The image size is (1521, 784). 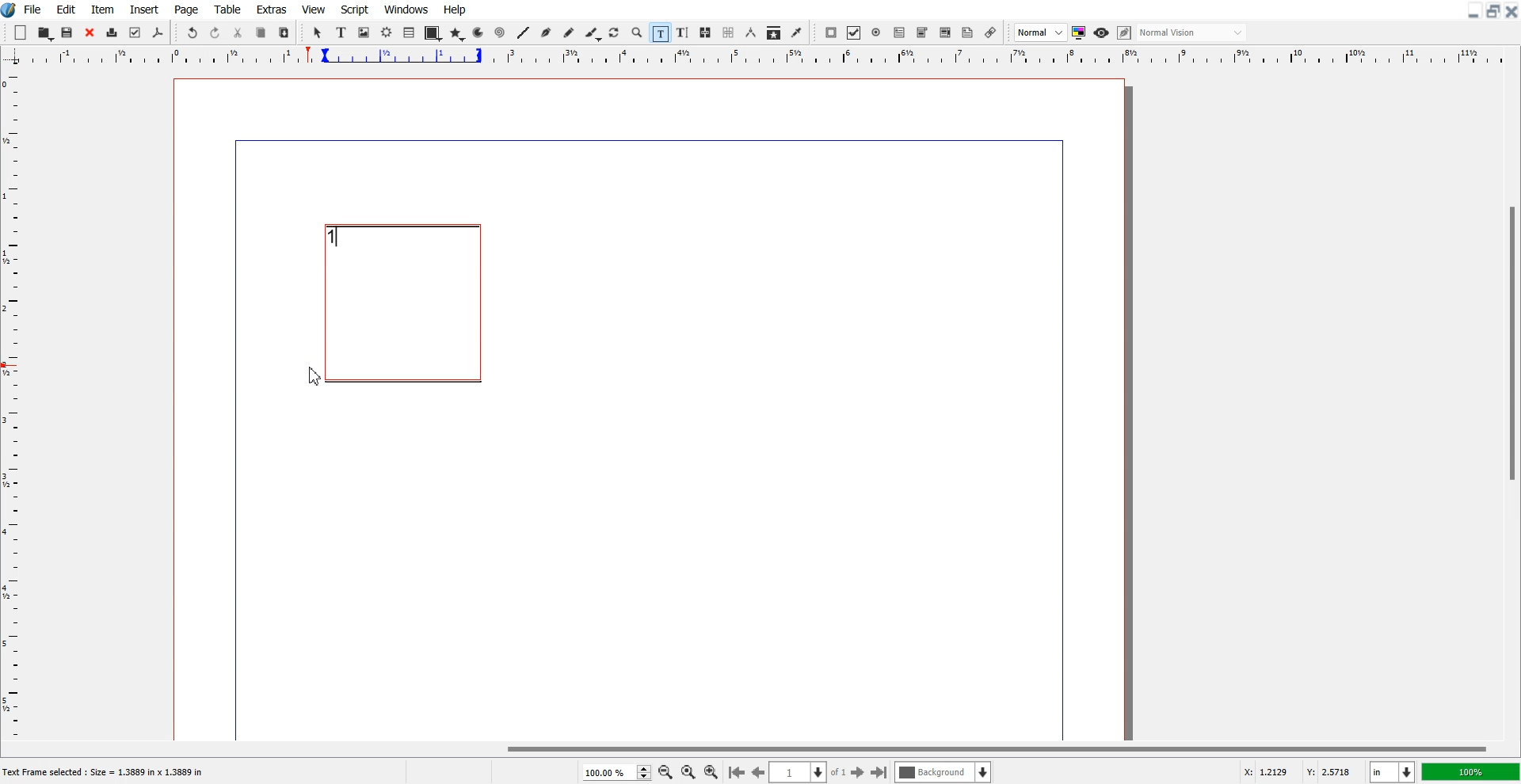 I want to click on Select Zoom Level, so click(x=618, y=772).